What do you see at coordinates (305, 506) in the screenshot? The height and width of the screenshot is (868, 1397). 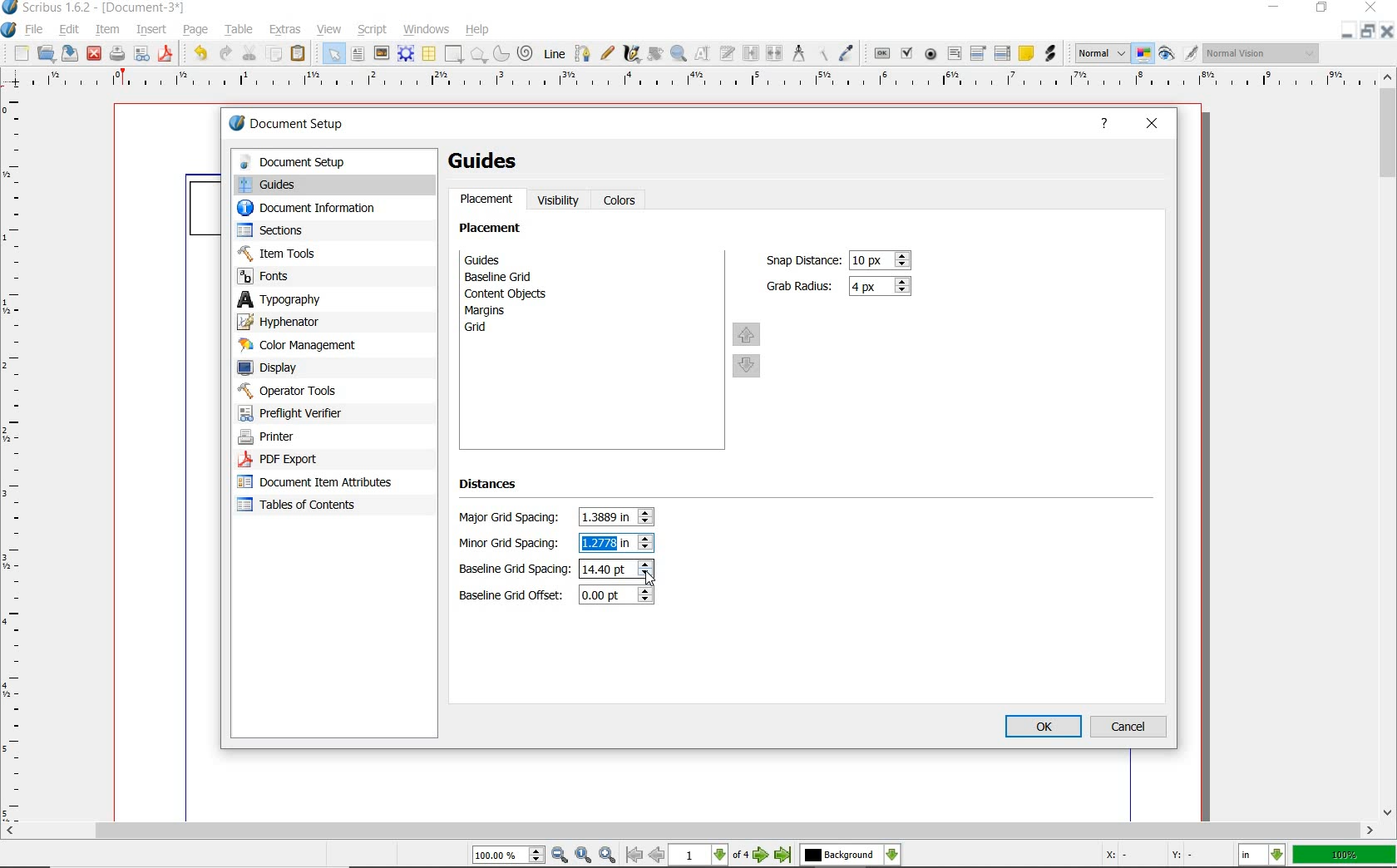 I see `Tables of contents` at bounding box center [305, 506].